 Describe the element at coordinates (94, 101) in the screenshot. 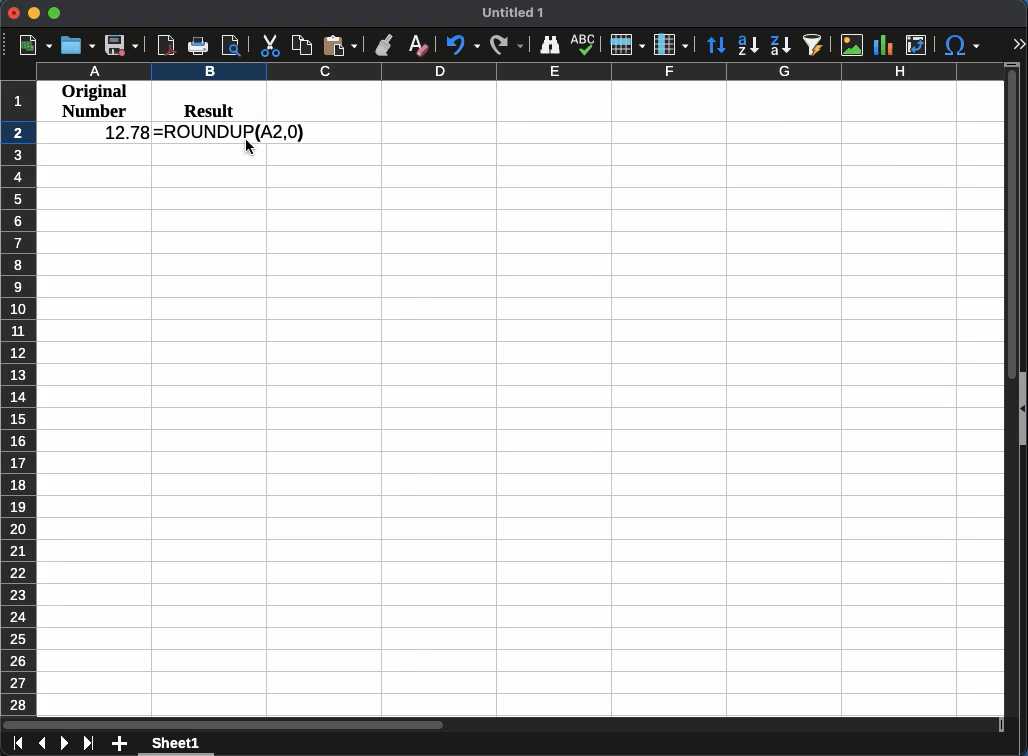

I see `original number` at that location.